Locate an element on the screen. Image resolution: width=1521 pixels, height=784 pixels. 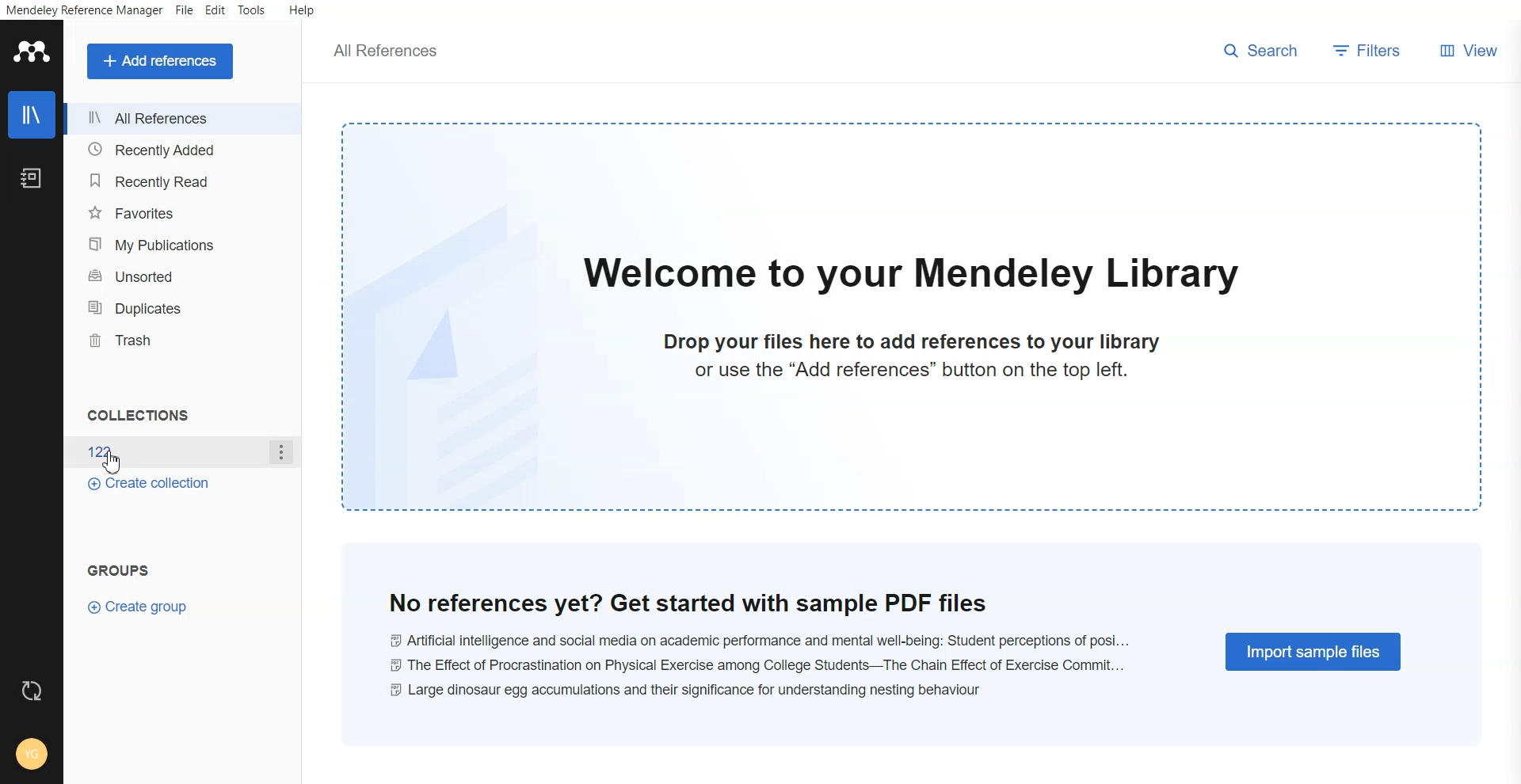
Import simple files is located at coordinates (1315, 650).